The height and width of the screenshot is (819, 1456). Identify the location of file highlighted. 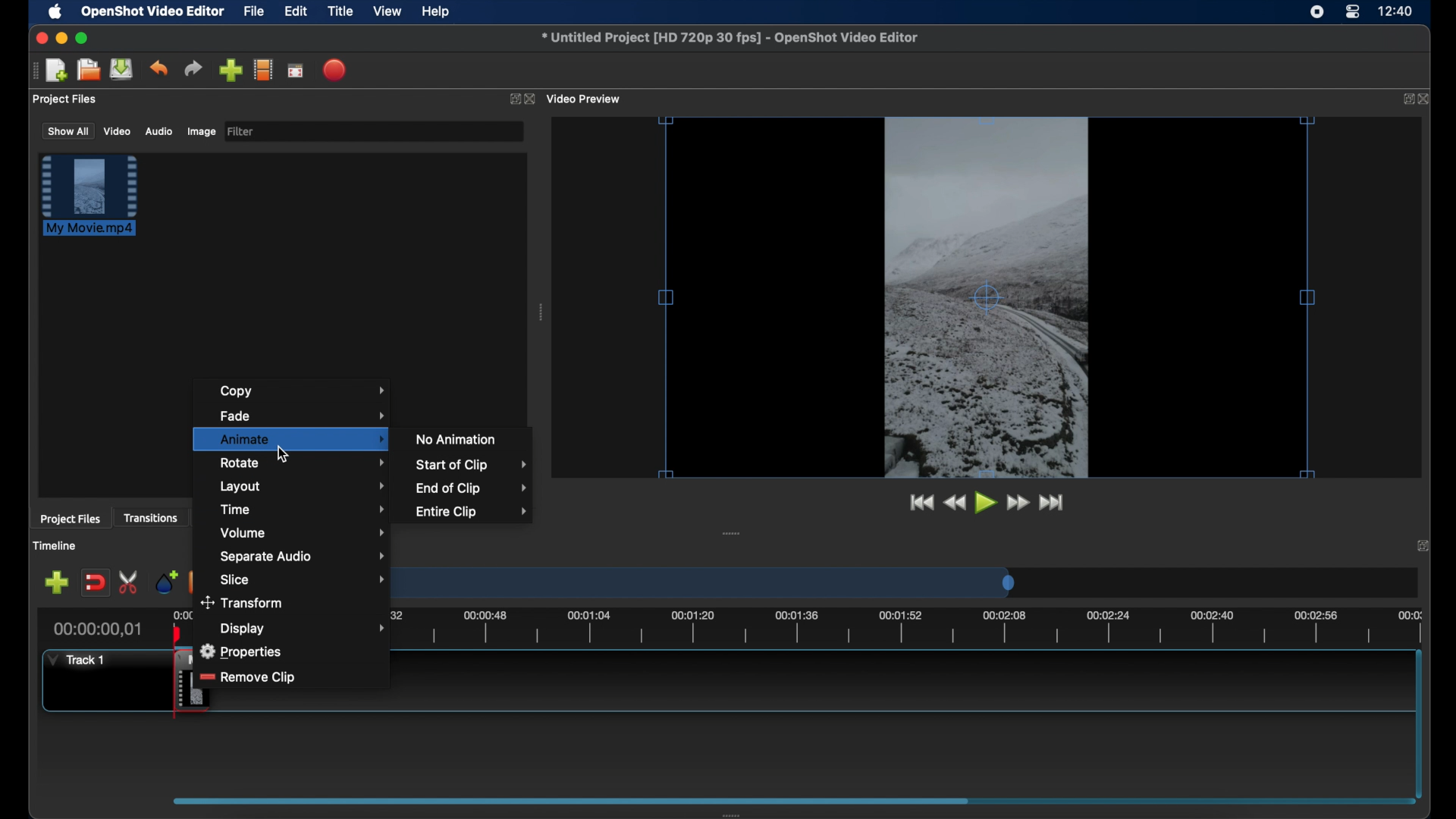
(89, 195).